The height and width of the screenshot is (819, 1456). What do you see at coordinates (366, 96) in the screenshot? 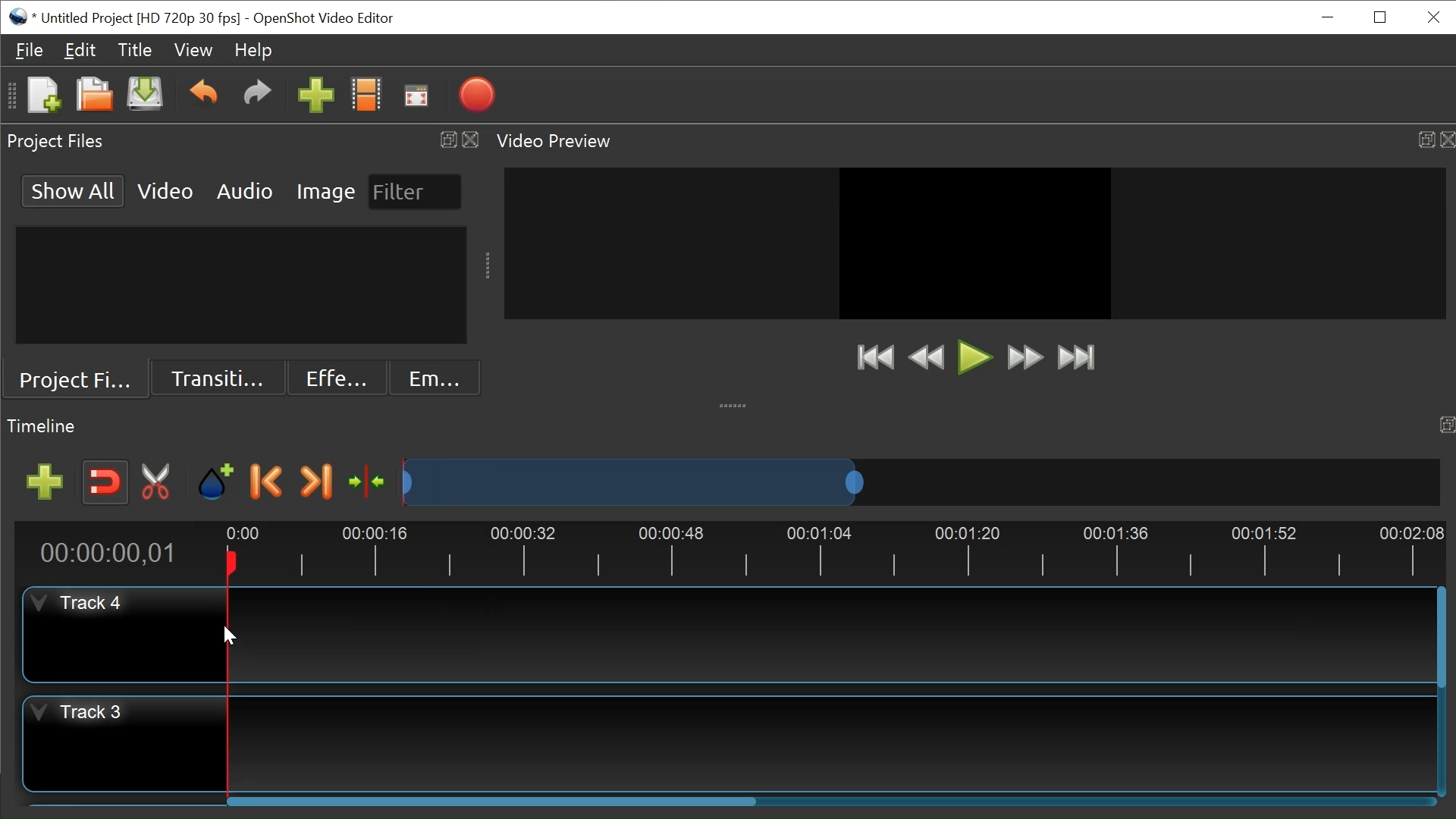
I see `Choose Profile` at bounding box center [366, 96].